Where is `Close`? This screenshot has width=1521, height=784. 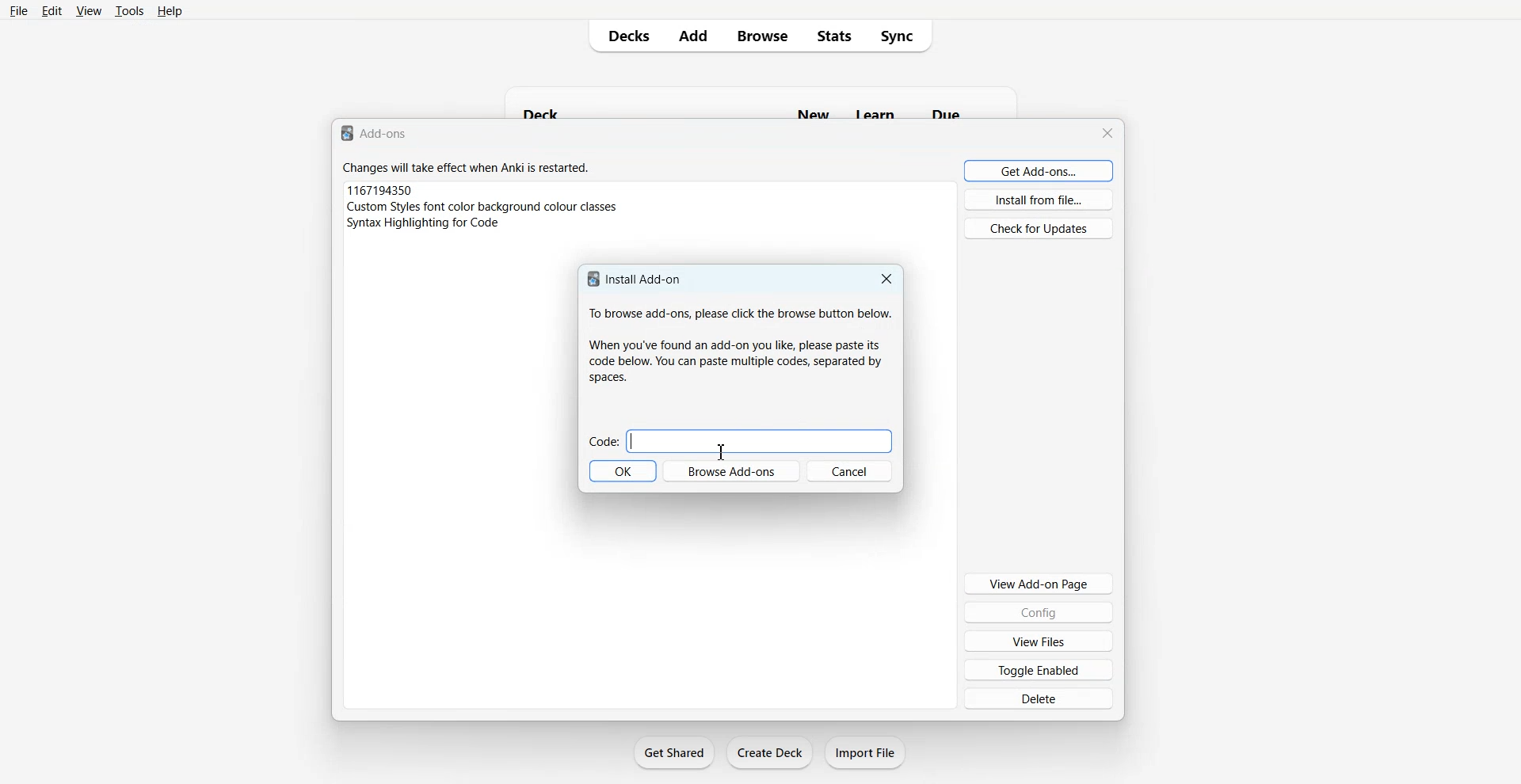
Close is located at coordinates (886, 278).